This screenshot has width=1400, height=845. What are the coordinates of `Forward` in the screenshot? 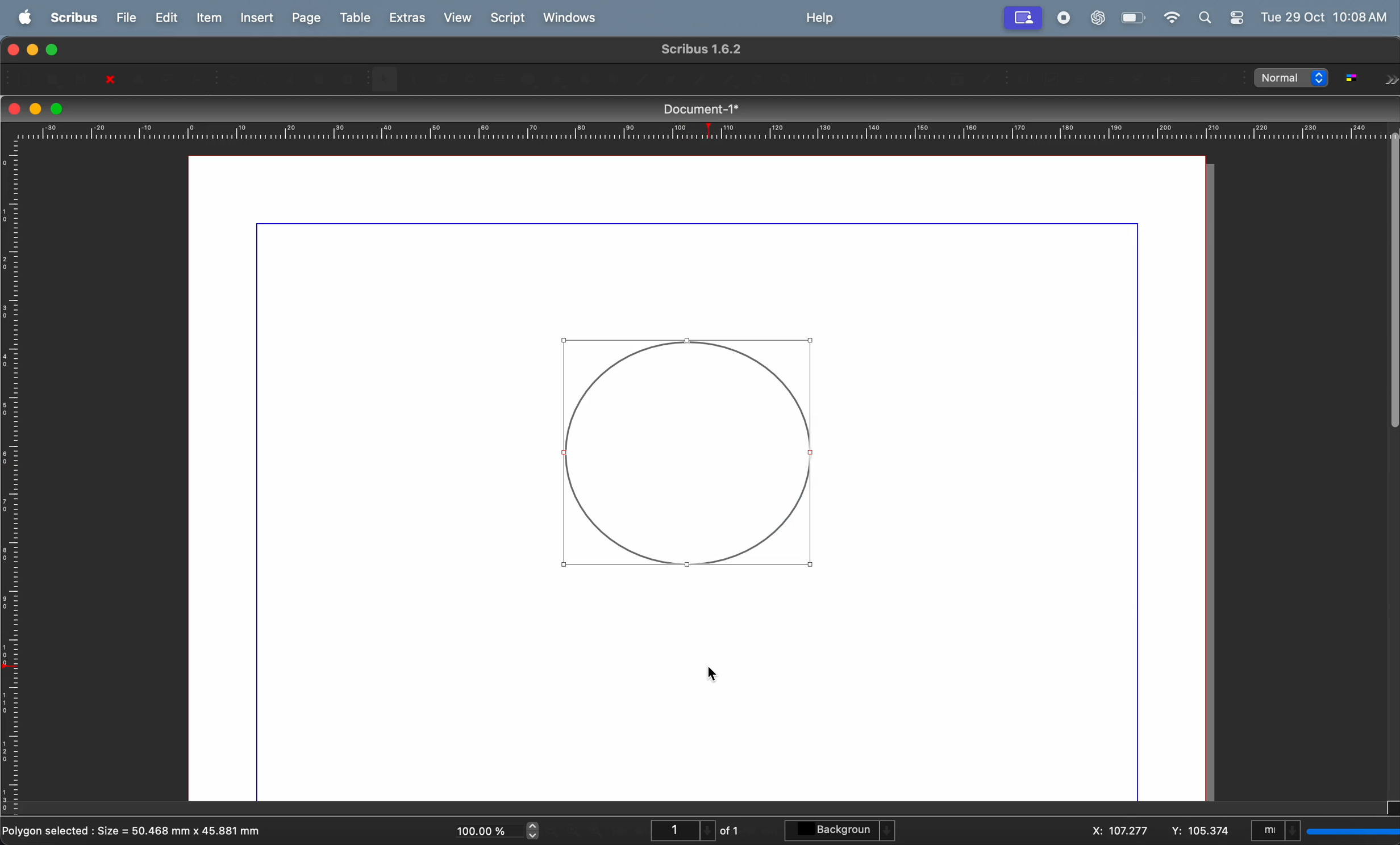 It's located at (1391, 74).